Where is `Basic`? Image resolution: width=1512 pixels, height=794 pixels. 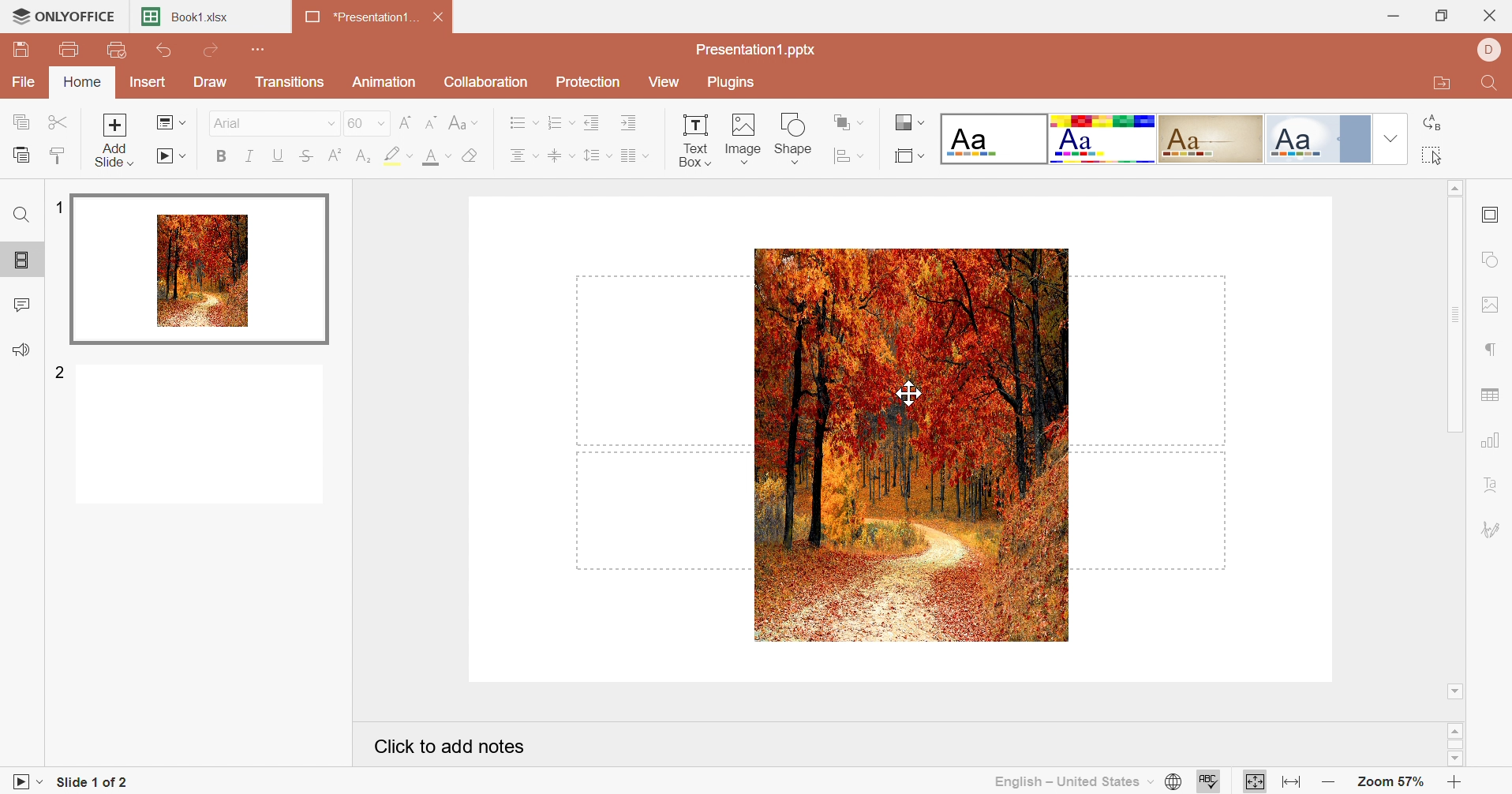
Basic is located at coordinates (1103, 140).